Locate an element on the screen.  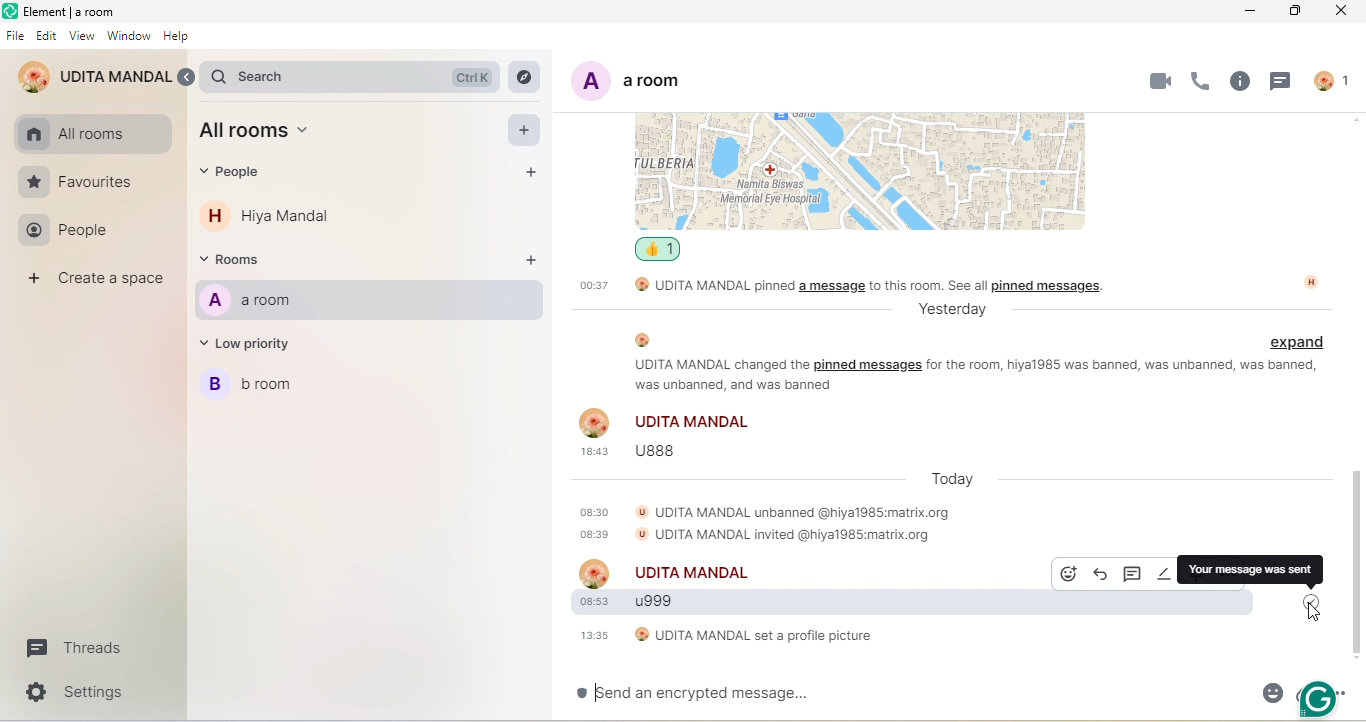
Create a space is located at coordinates (95, 282).